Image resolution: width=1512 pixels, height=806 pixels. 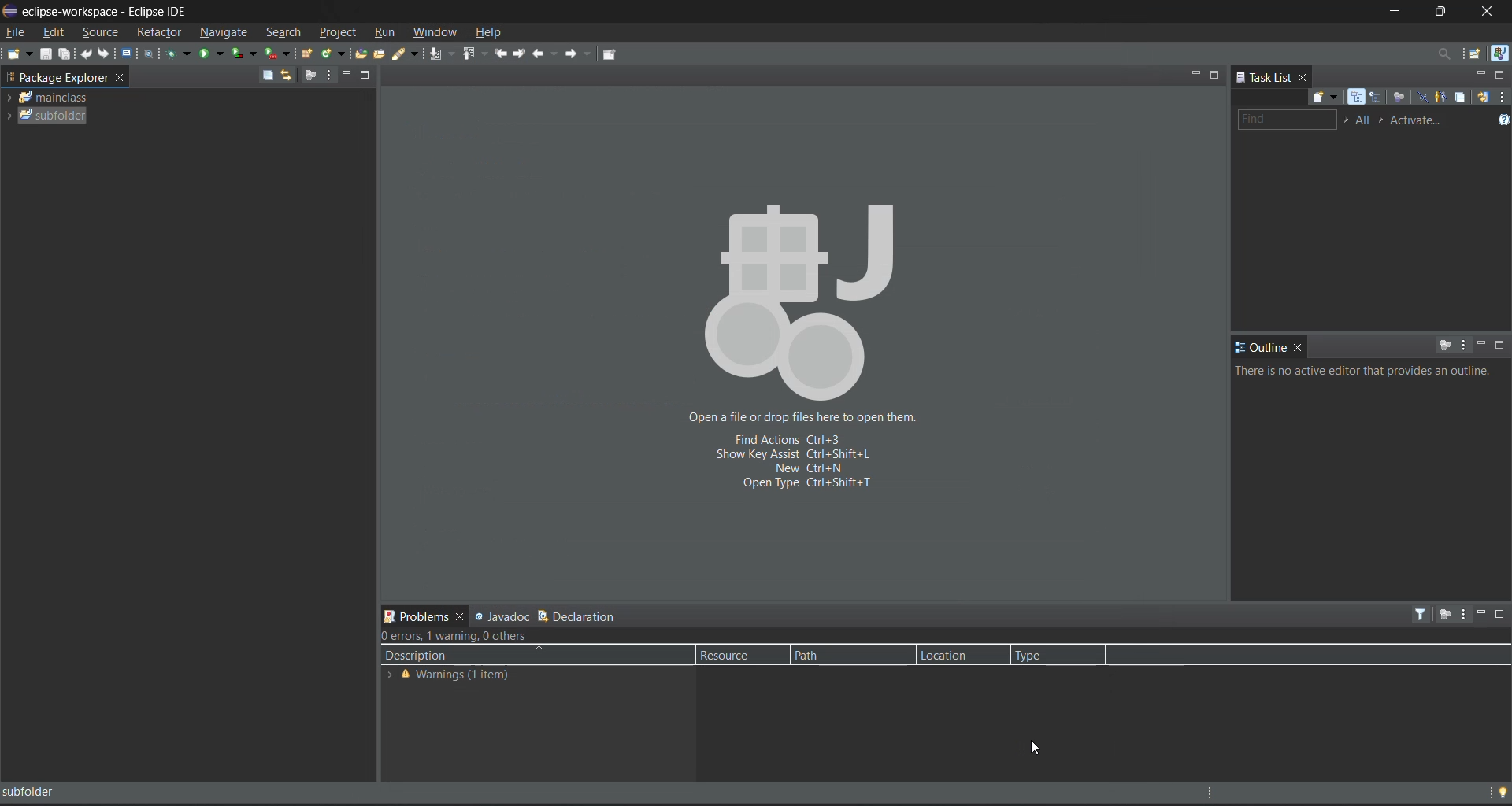 What do you see at coordinates (1421, 96) in the screenshot?
I see `hide completed tasks` at bounding box center [1421, 96].